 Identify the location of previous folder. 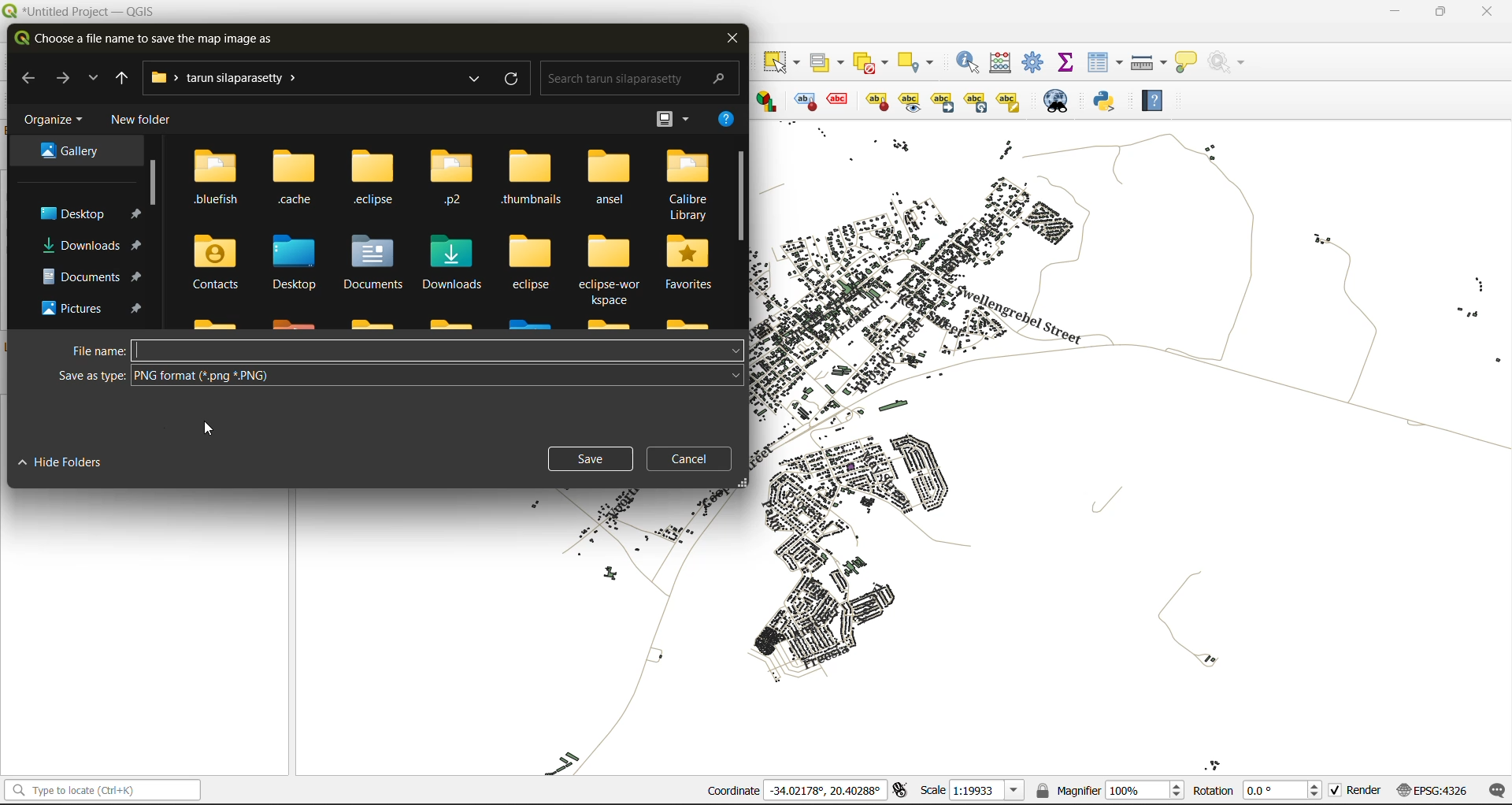
(117, 78).